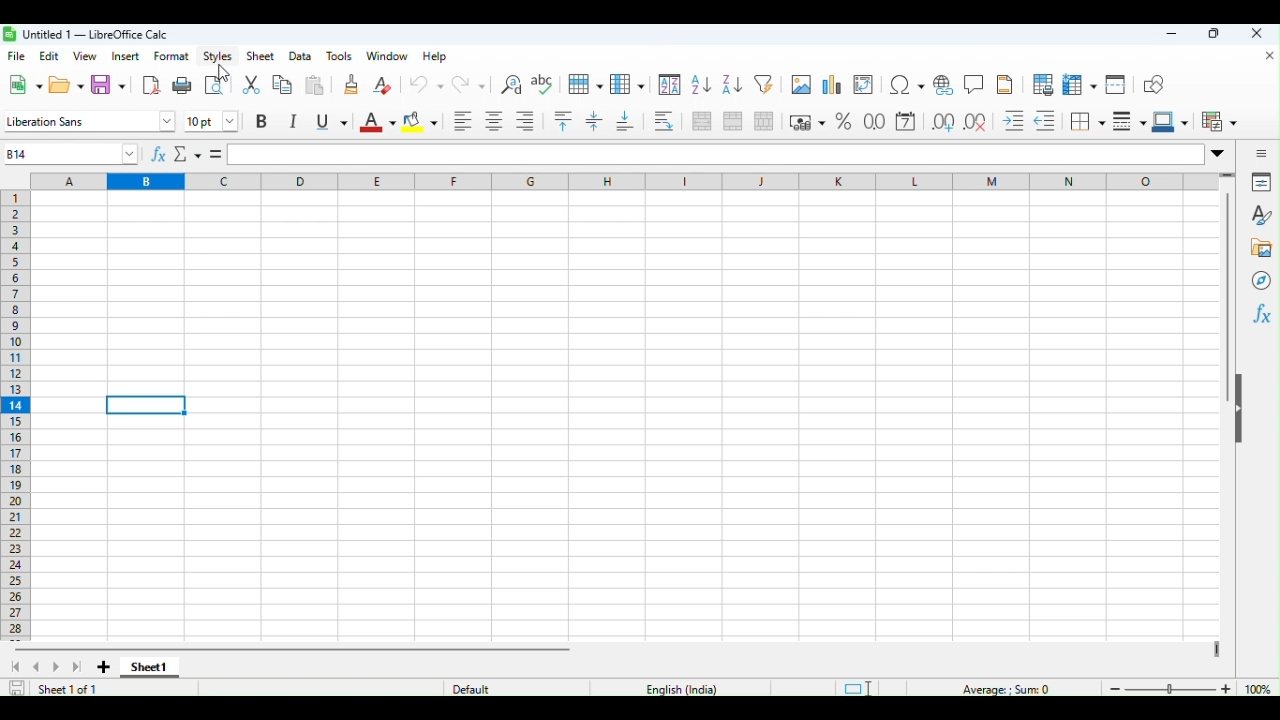 This screenshot has width=1280, height=720. Describe the element at coordinates (763, 119) in the screenshot. I see `unmerge` at that location.